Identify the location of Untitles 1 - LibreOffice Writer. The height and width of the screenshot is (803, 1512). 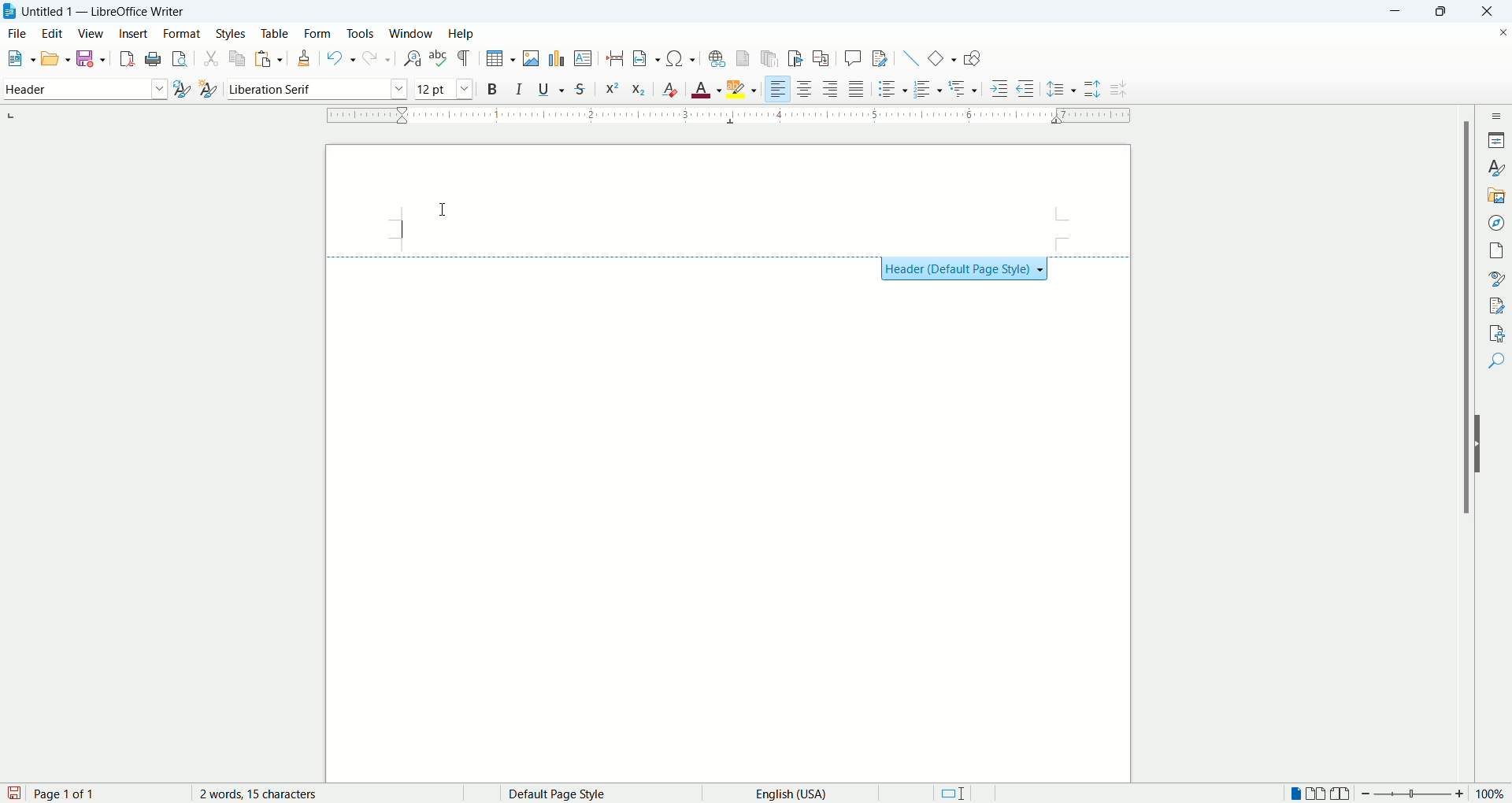
(107, 9).